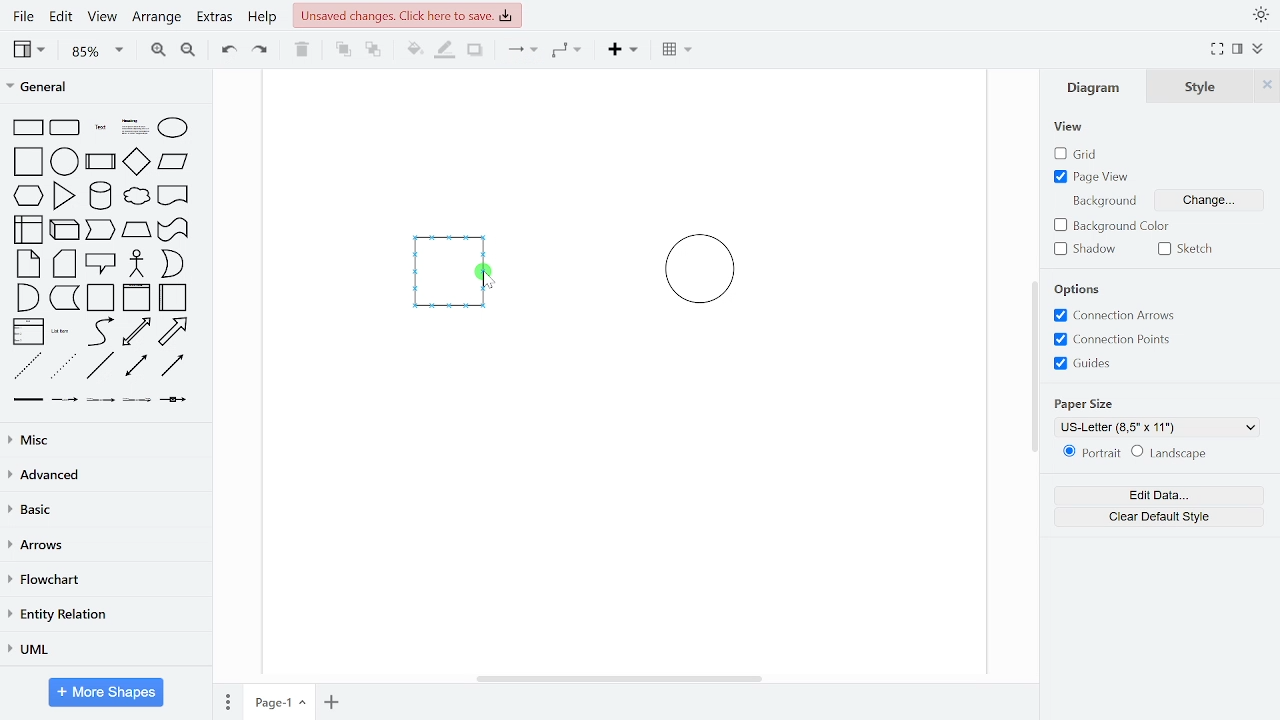  What do you see at coordinates (135, 197) in the screenshot?
I see `cloud` at bounding box center [135, 197].